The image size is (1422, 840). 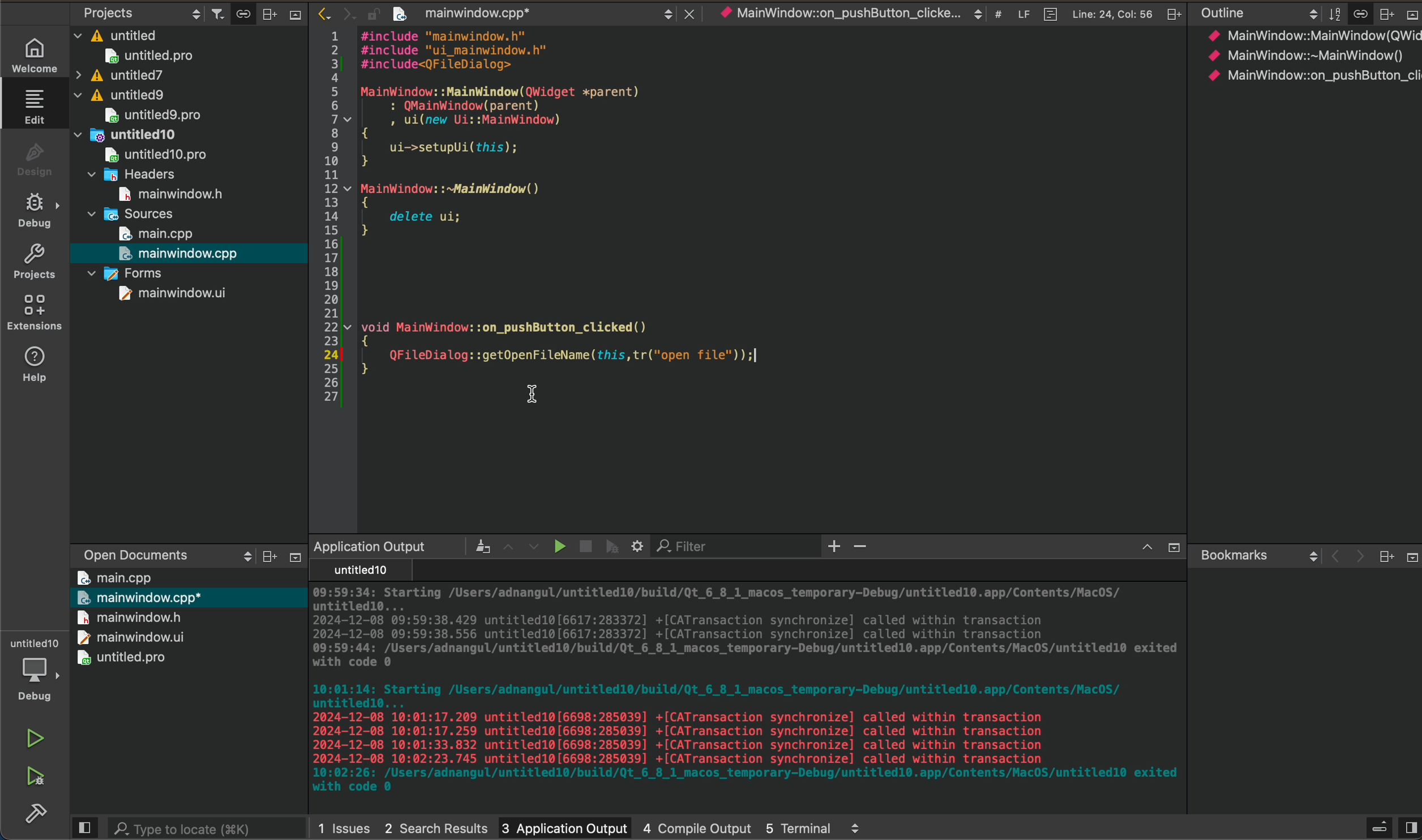 I want to click on zoom out, so click(x=864, y=548).